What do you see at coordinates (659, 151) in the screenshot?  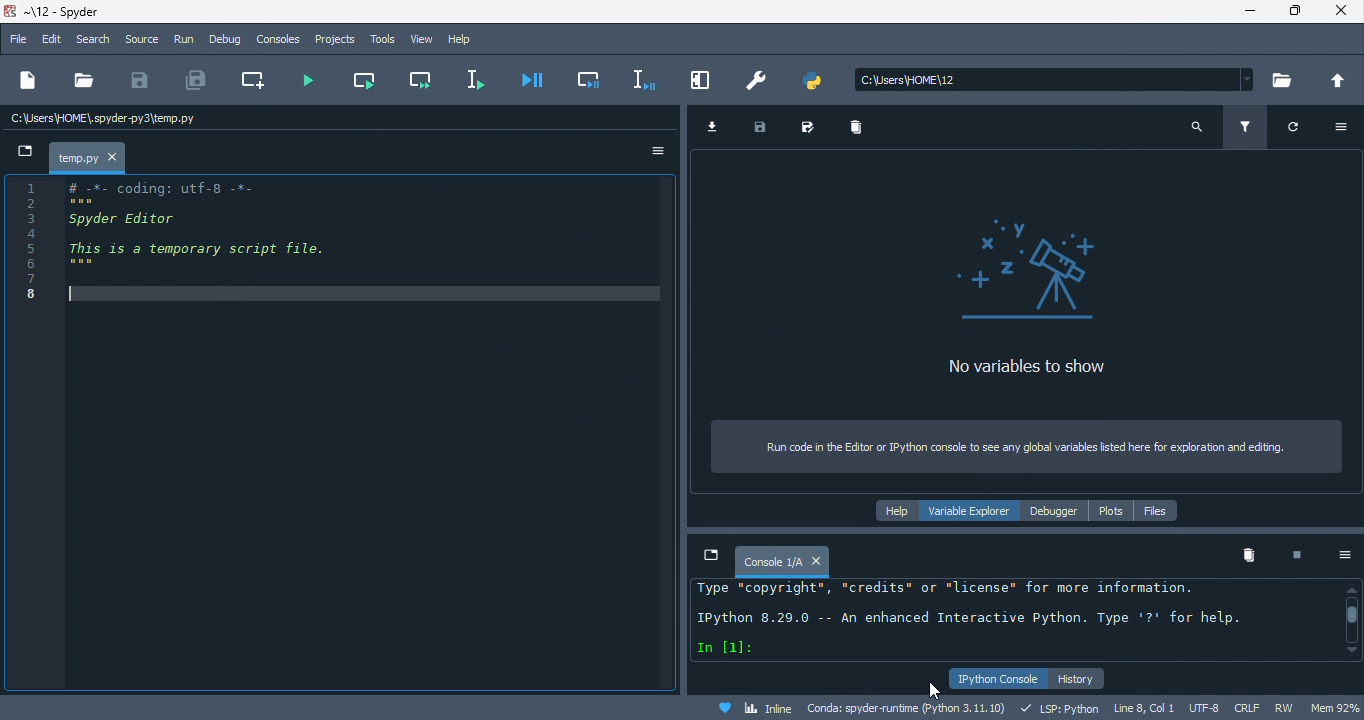 I see `option` at bounding box center [659, 151].